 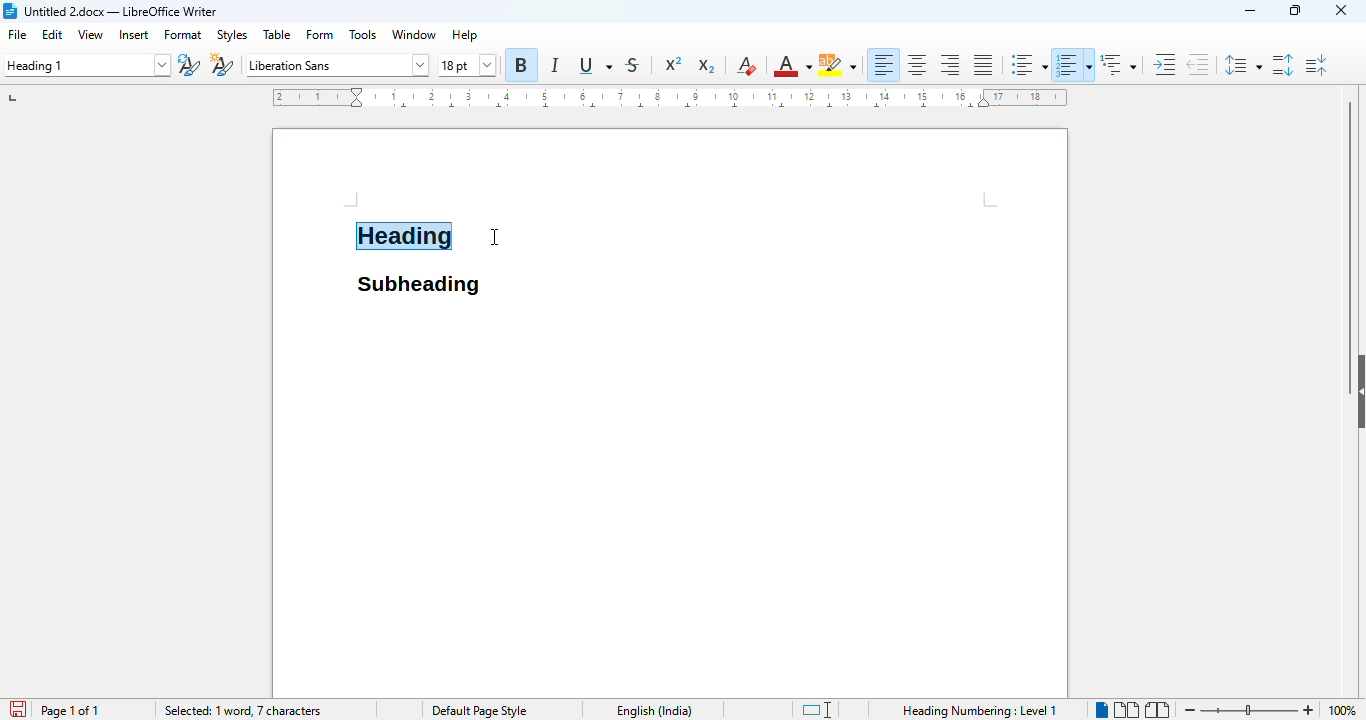 I want to click on logo, so click(x=10, y=11).